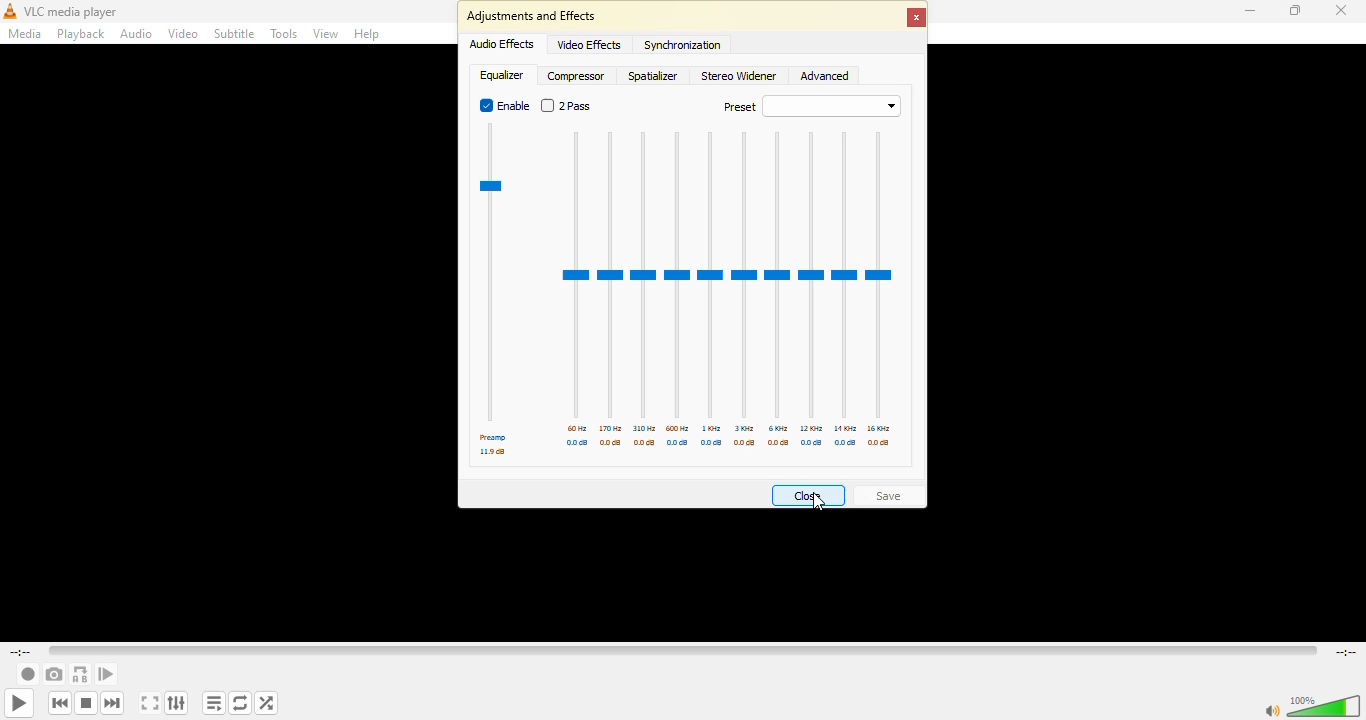 This screenshot has width=1366, height=720. What do you see at coordinates (676, 276) in the screenshot?
I see `adjustor` at bounding box center [676, 276].